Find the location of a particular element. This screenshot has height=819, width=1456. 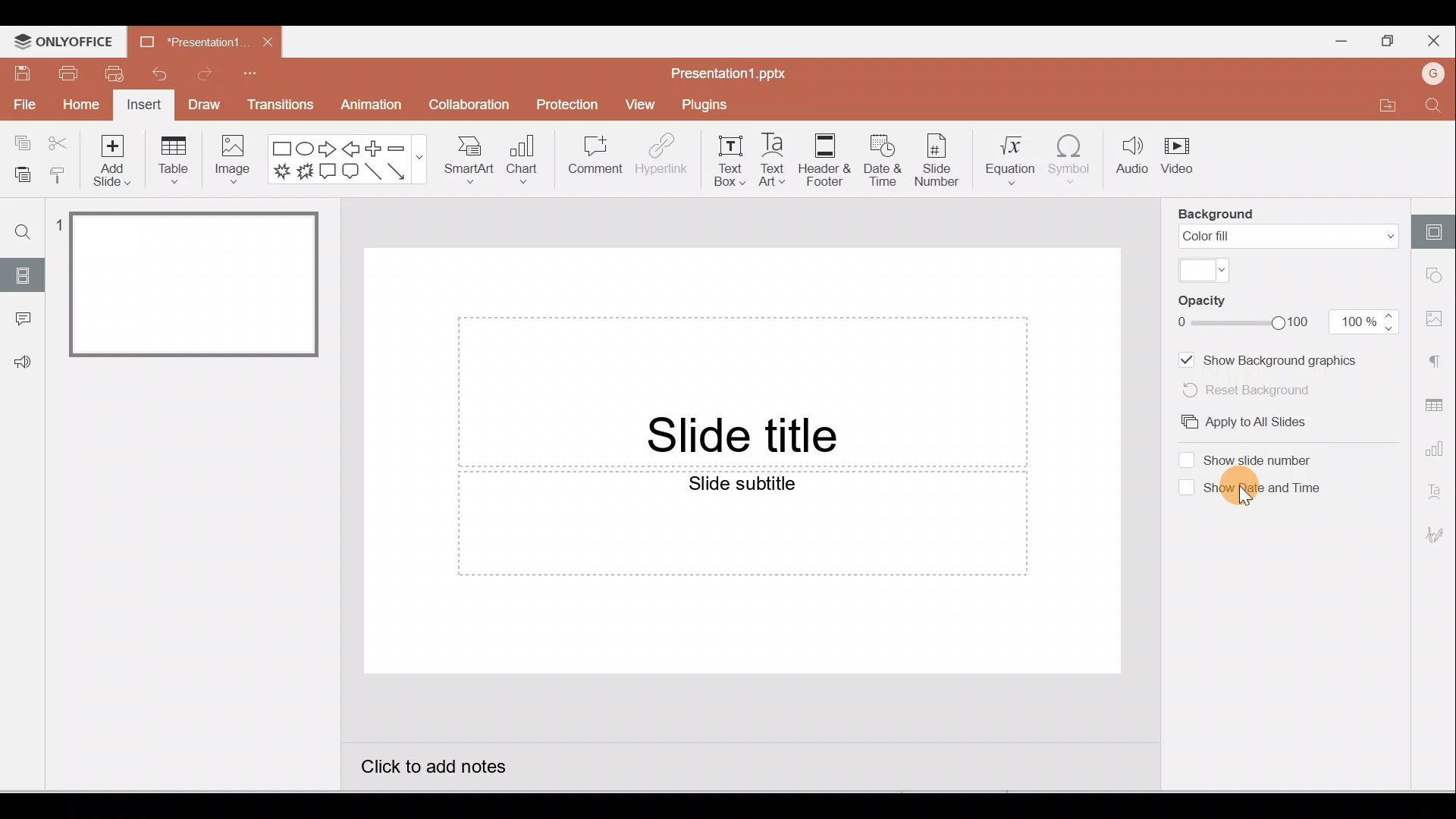

Animation is located at coordinates (368, 105).